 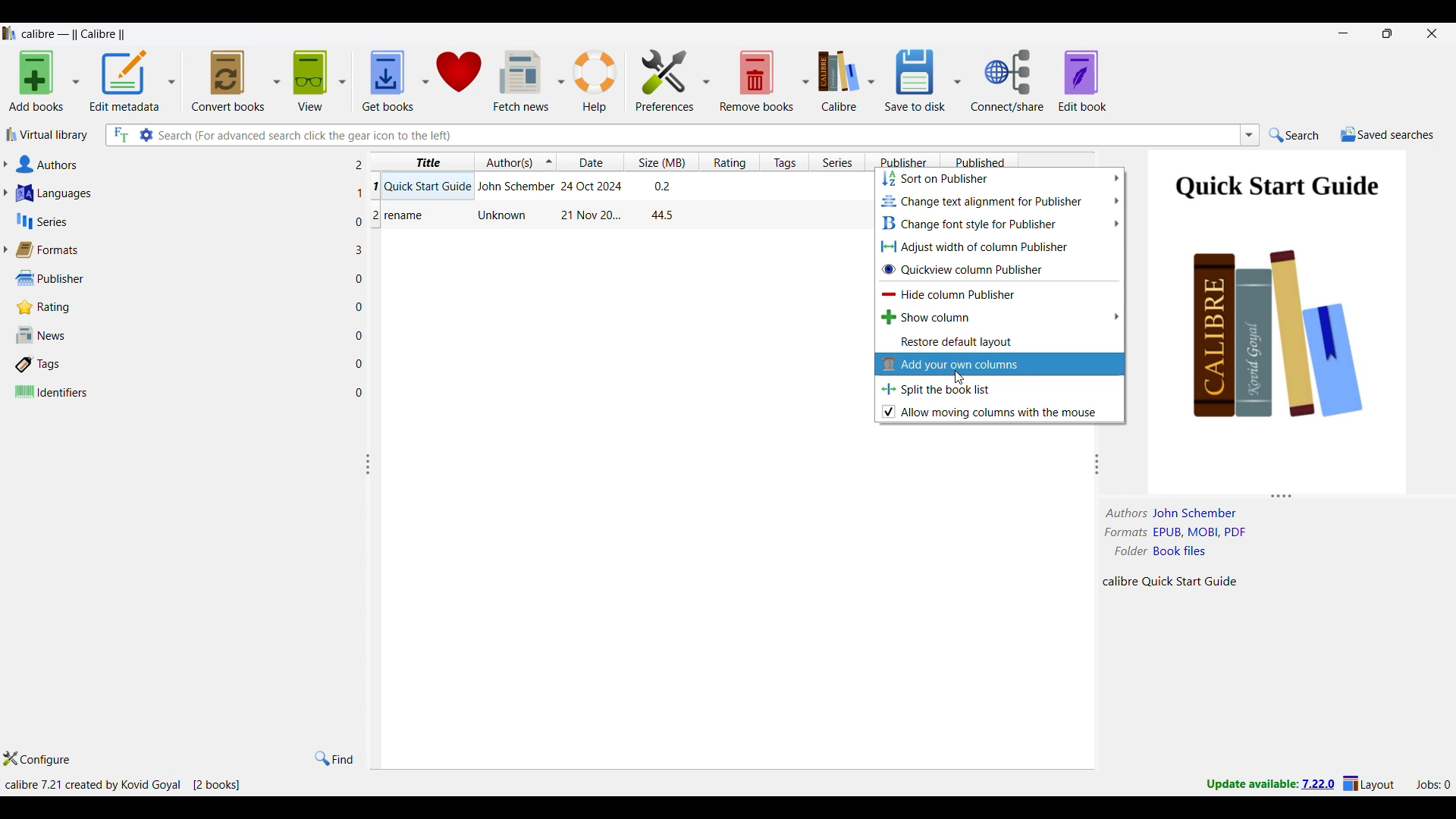 What do you see at coordinates (175, 307) in the screenshot?
I see `Rating` at bounding box center [175, 307].